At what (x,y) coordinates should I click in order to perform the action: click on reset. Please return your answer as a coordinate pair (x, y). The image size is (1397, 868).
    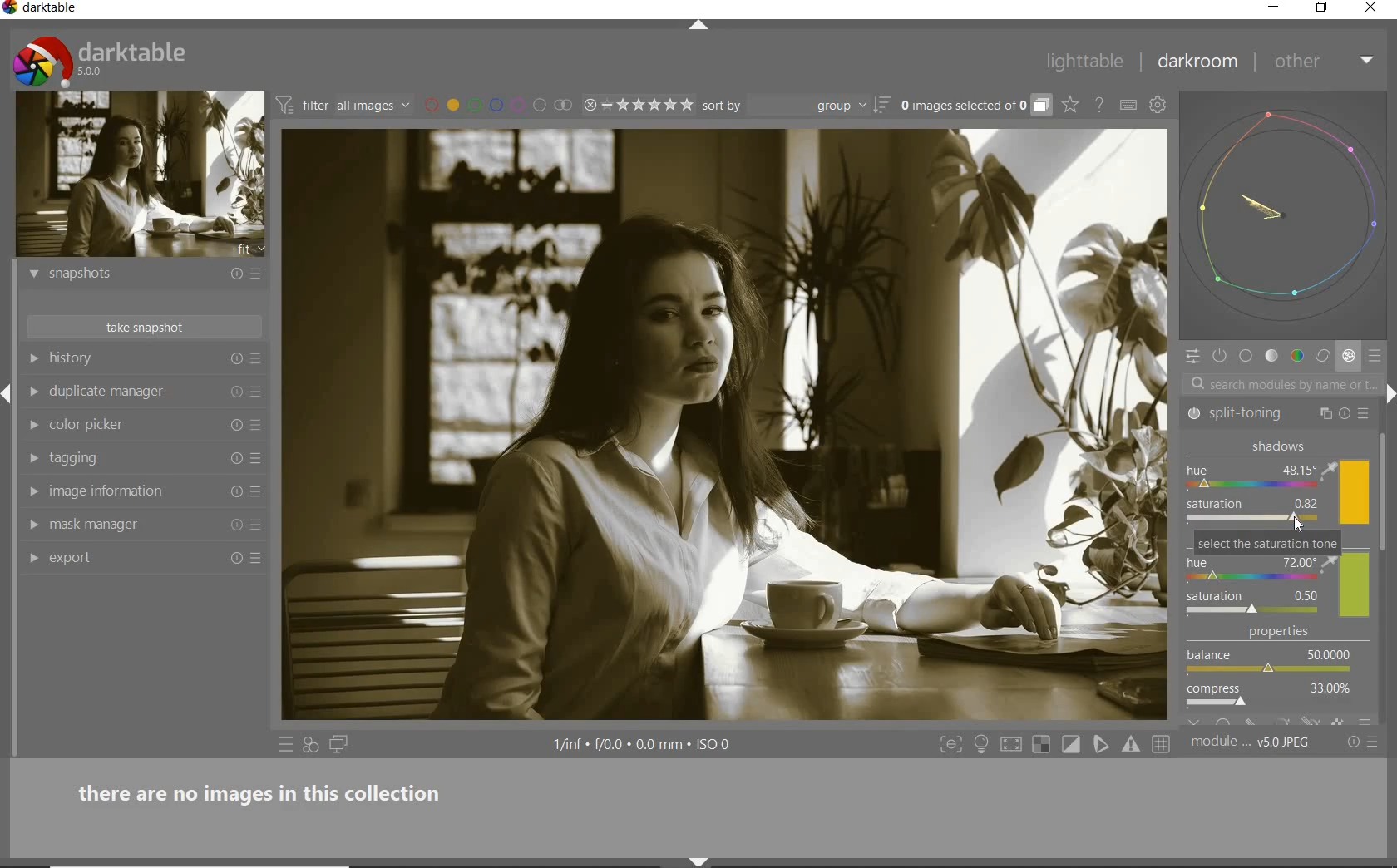
    Looking at the image, I should click on (235, 528).